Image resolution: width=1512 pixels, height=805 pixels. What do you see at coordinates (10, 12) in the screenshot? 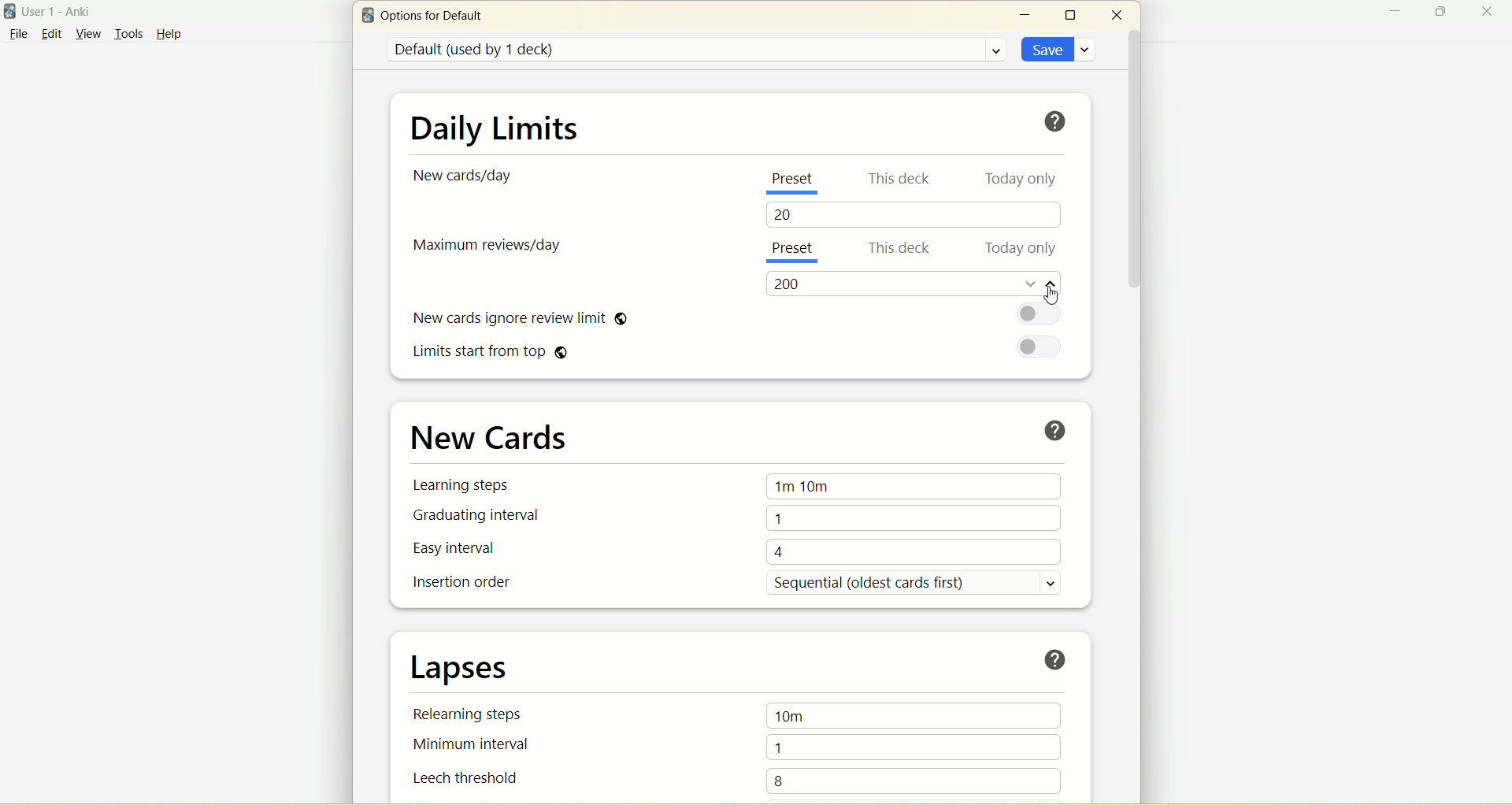
I see `logo` at bounding box center [10, 12].